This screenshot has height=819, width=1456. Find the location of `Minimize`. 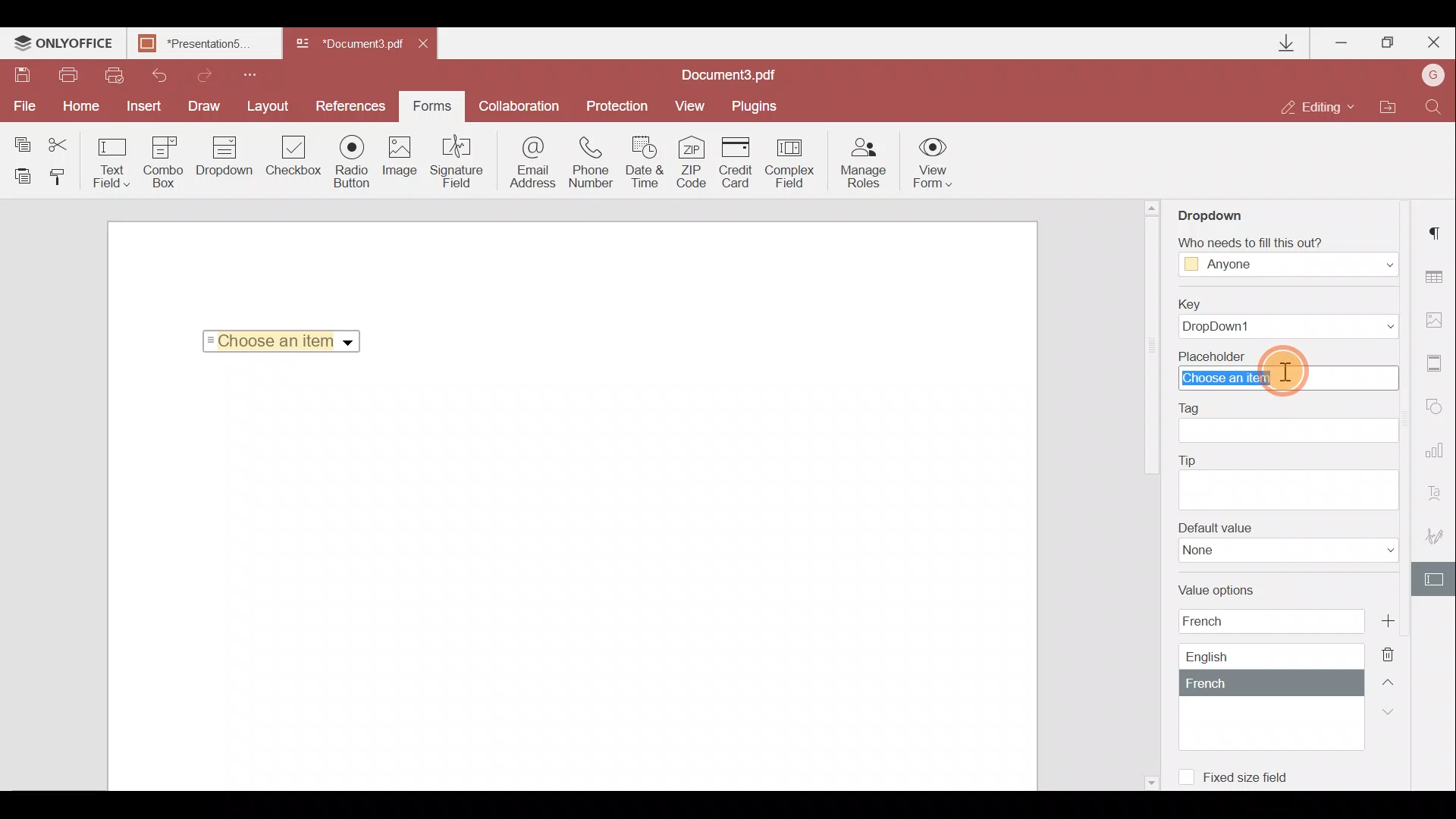

Minimize is located at coordinates (1343, 39).